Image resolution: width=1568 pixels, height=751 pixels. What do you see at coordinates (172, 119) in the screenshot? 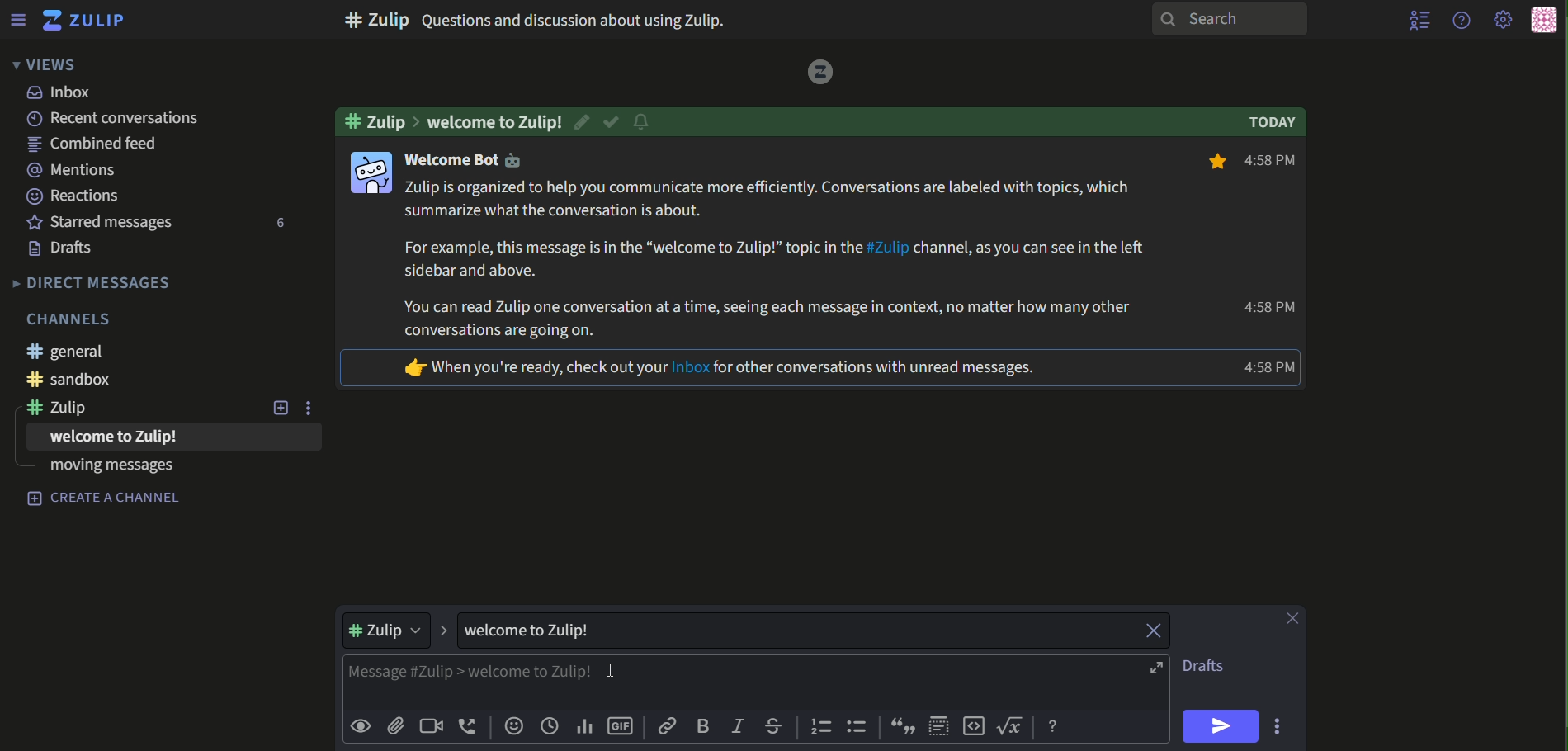
I see `text` at bounding box center [172, 119].